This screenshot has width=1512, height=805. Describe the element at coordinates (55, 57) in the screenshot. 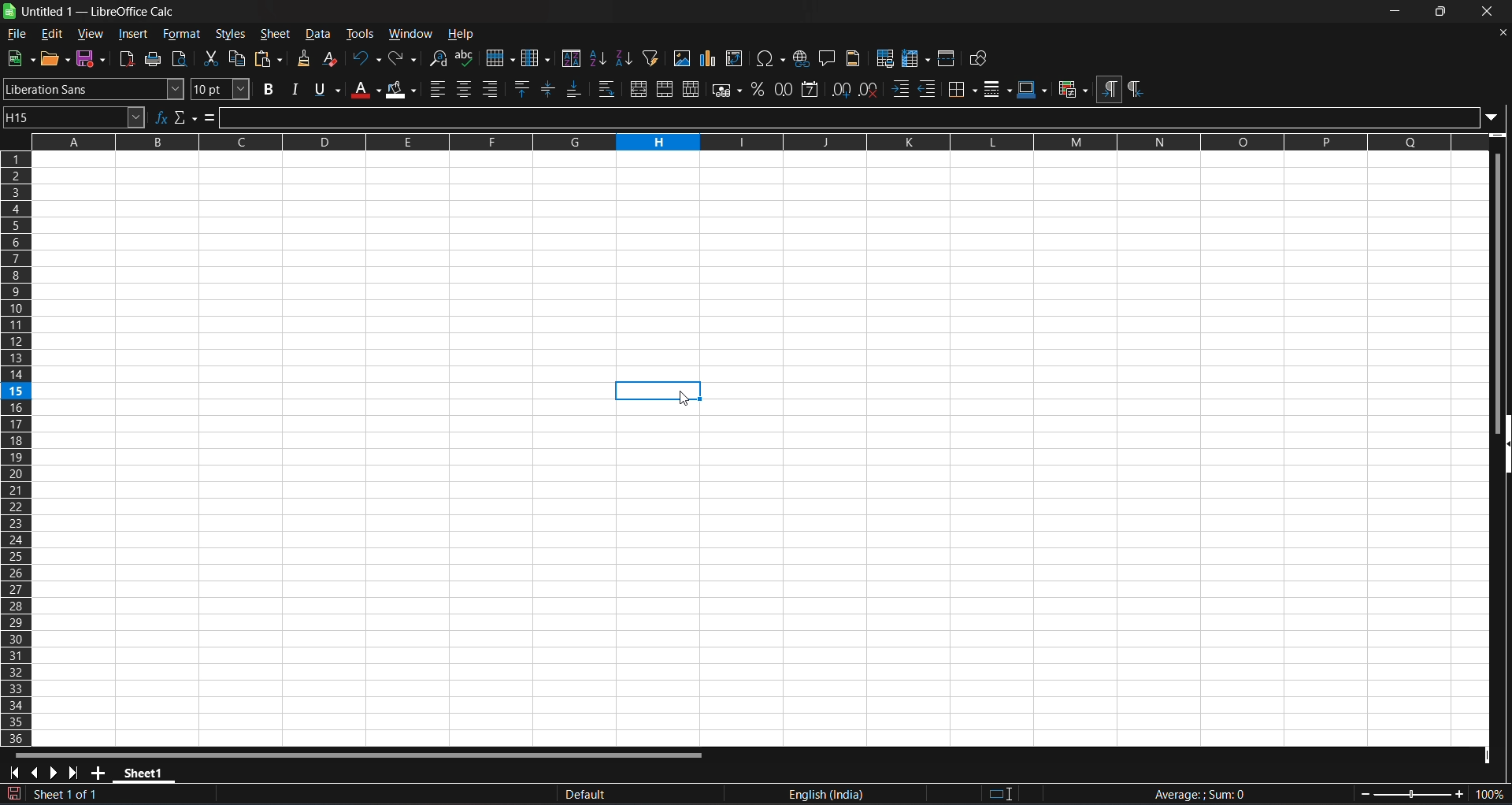

I see `open` at that location.